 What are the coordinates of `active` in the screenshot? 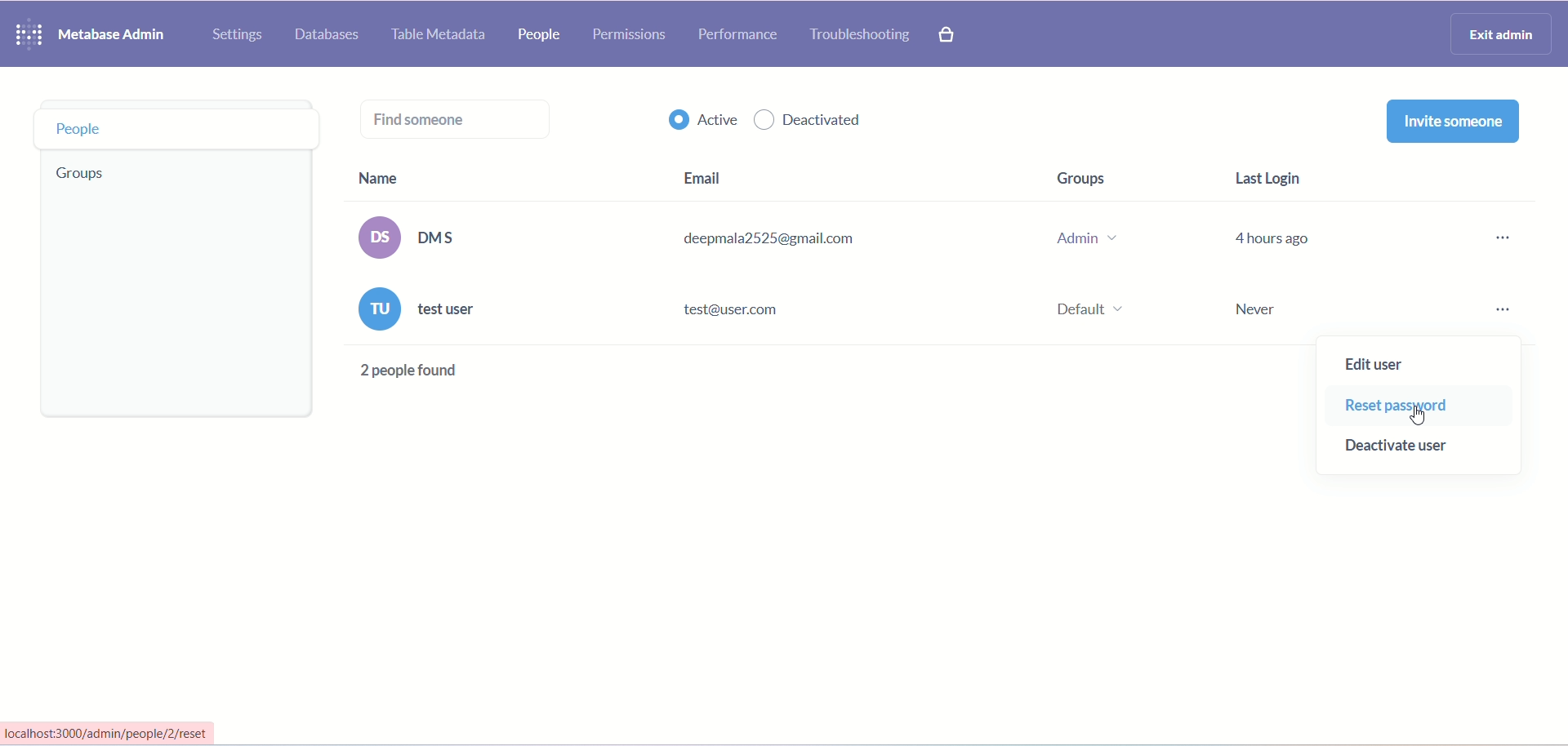 It's located at (703, 123).